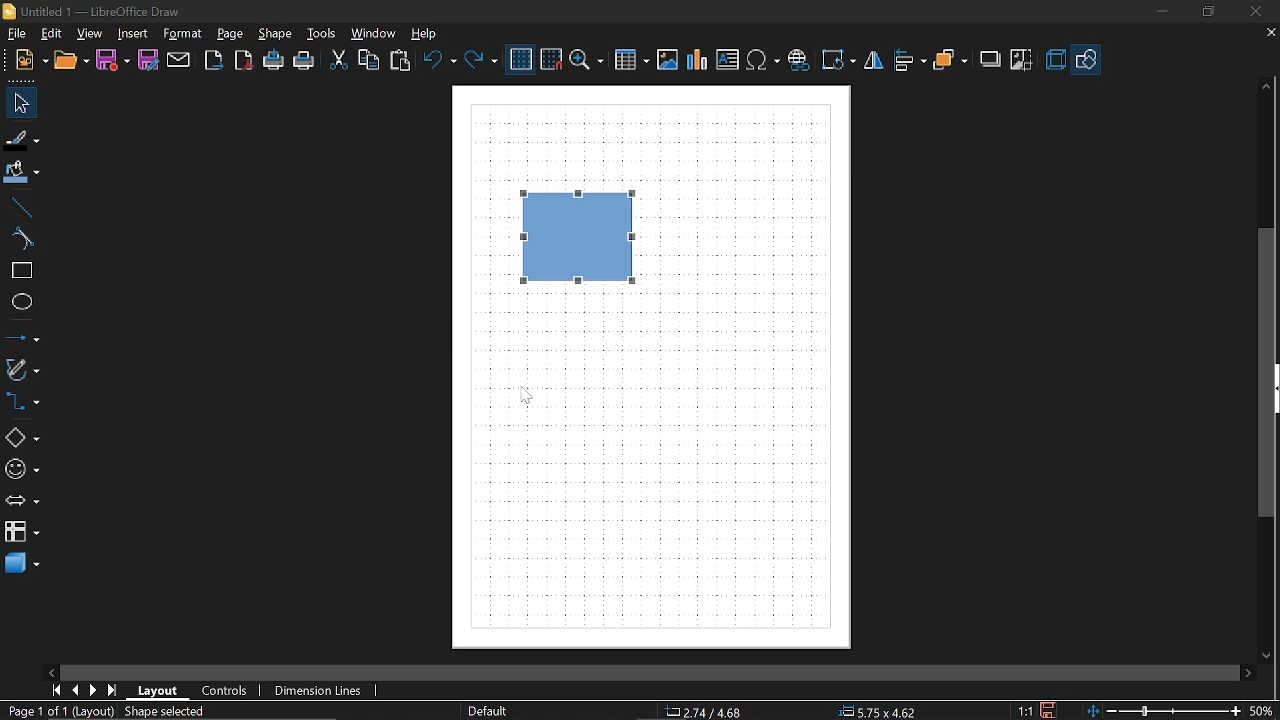 This screenshot has height=720, width=1280. Describe the element at coordinates (1263, 88) in the screenshot. I see `move up` at that location.